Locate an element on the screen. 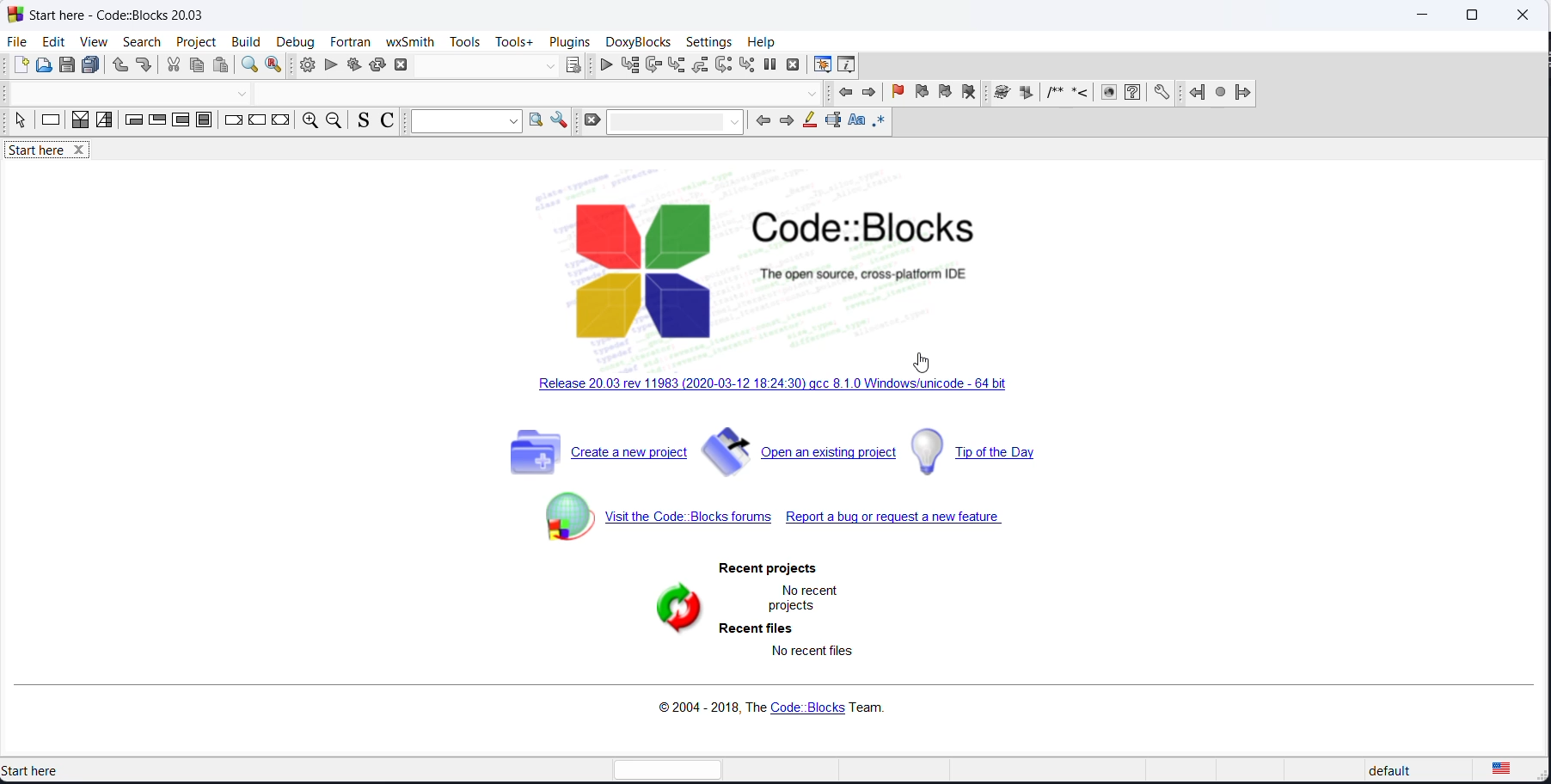  run is located at coordinates (330, 66).